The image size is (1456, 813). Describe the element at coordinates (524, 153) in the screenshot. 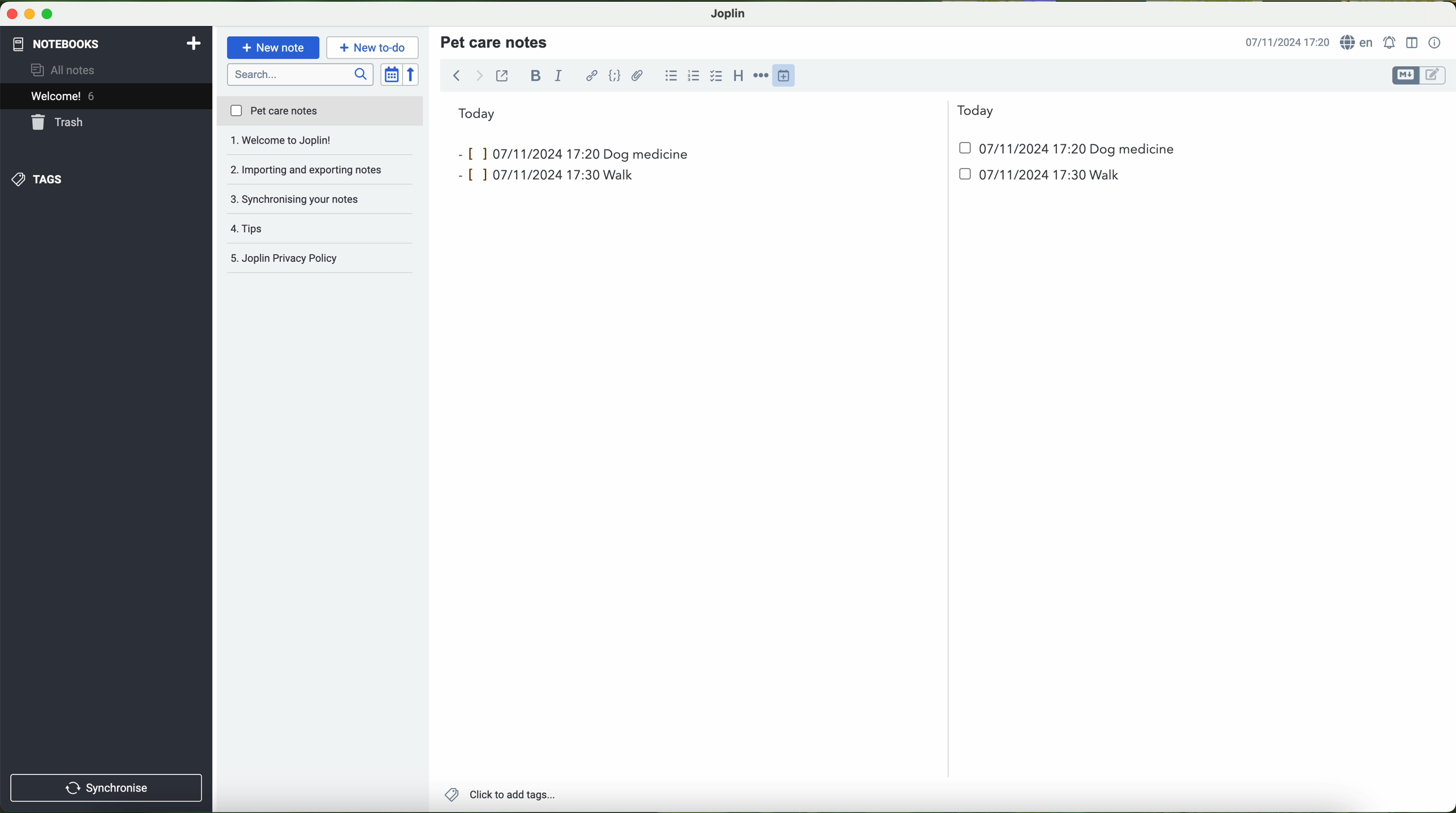

I see `inputs` at that location.